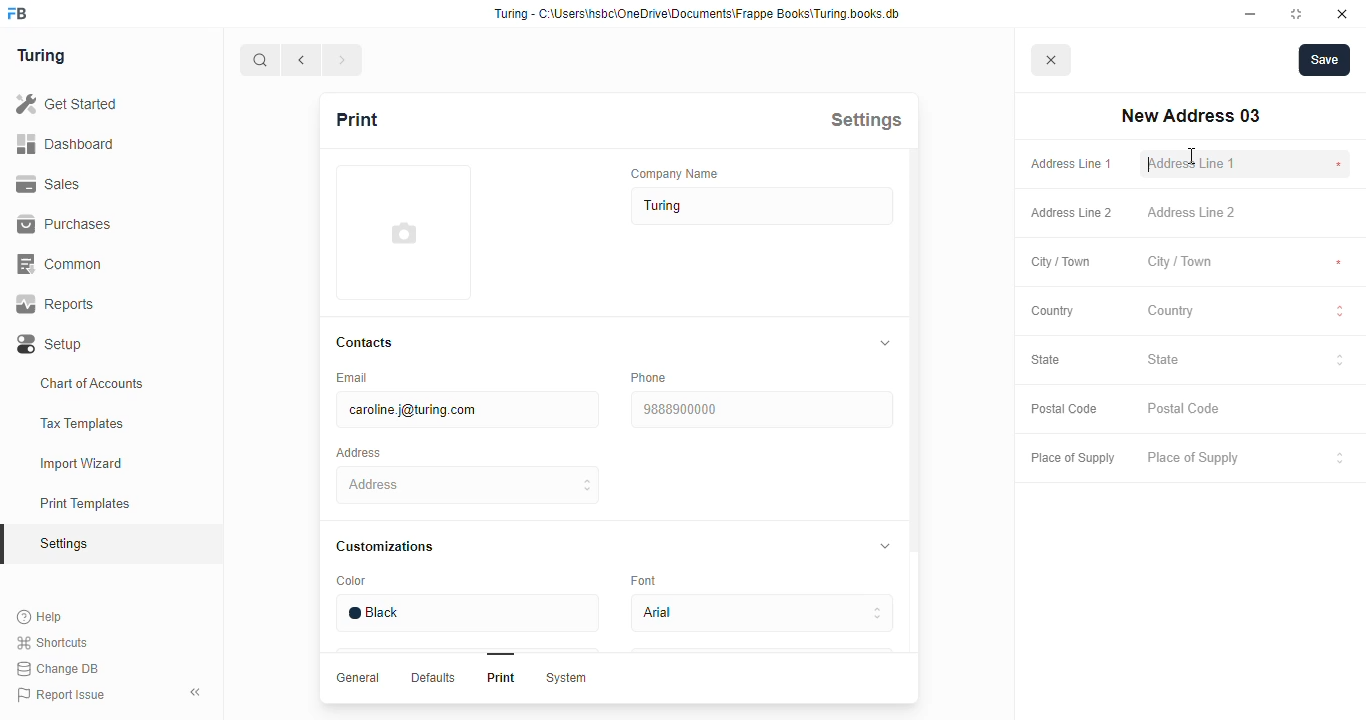  Describe the element at coordinates (881, 343) in the screenshot. I see `toggle expand/collapse` at that location.